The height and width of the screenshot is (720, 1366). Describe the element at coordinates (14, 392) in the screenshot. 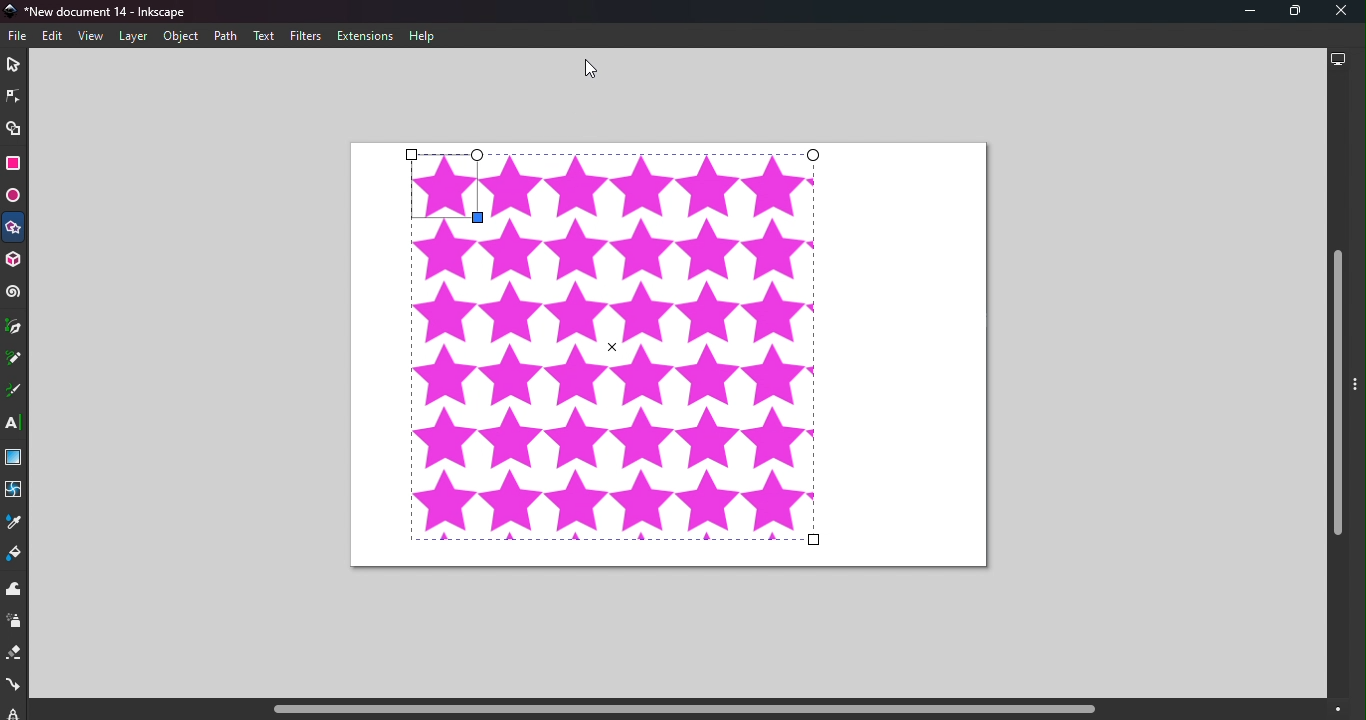

I see `Calligraphy tool` at that location.